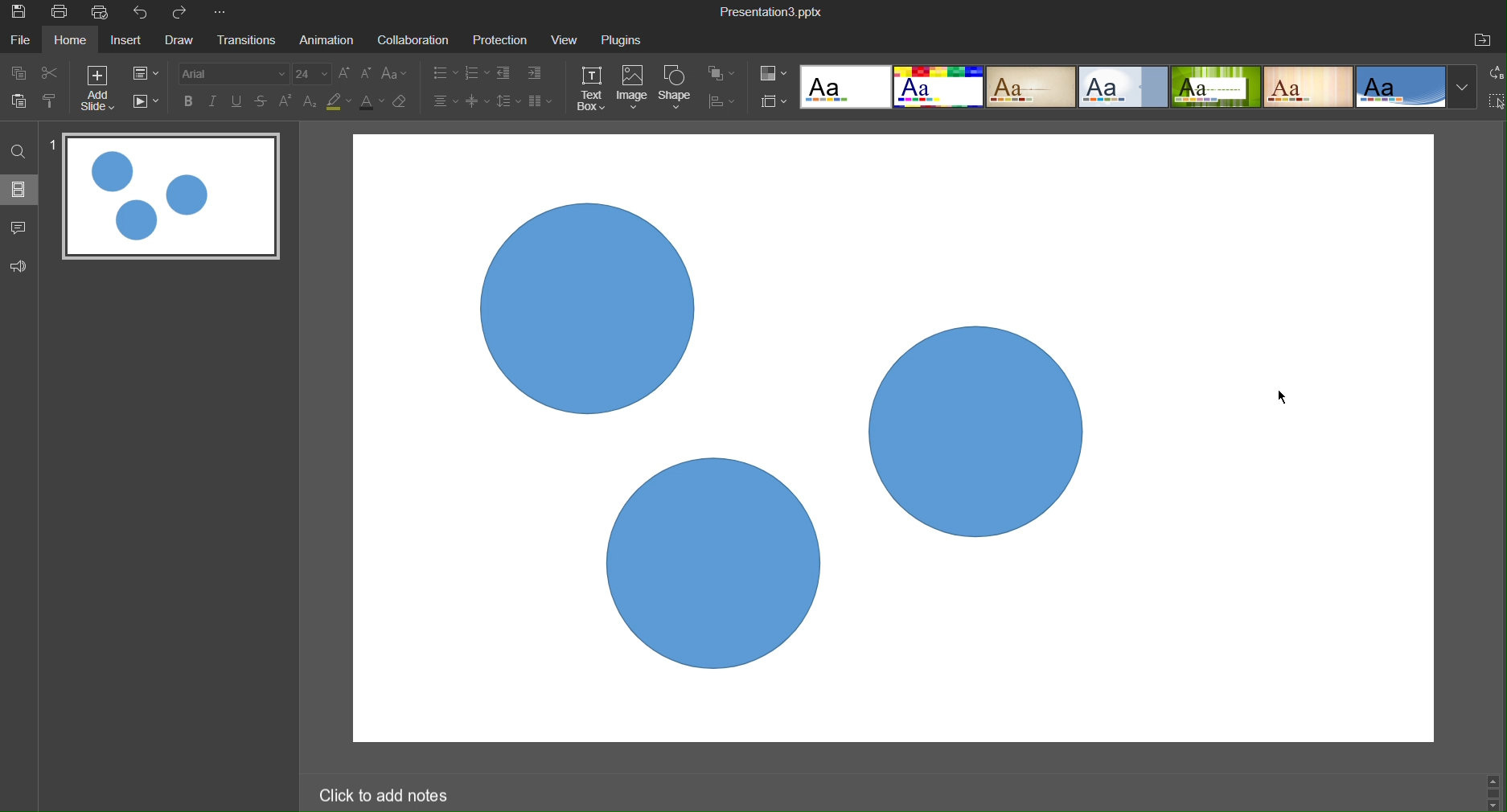 The height and width of the screenshot is (812, 1507). What do you see at coordinates (187, 14) in the screenshot?
I see `Redo` at bounding box center [187, 14].